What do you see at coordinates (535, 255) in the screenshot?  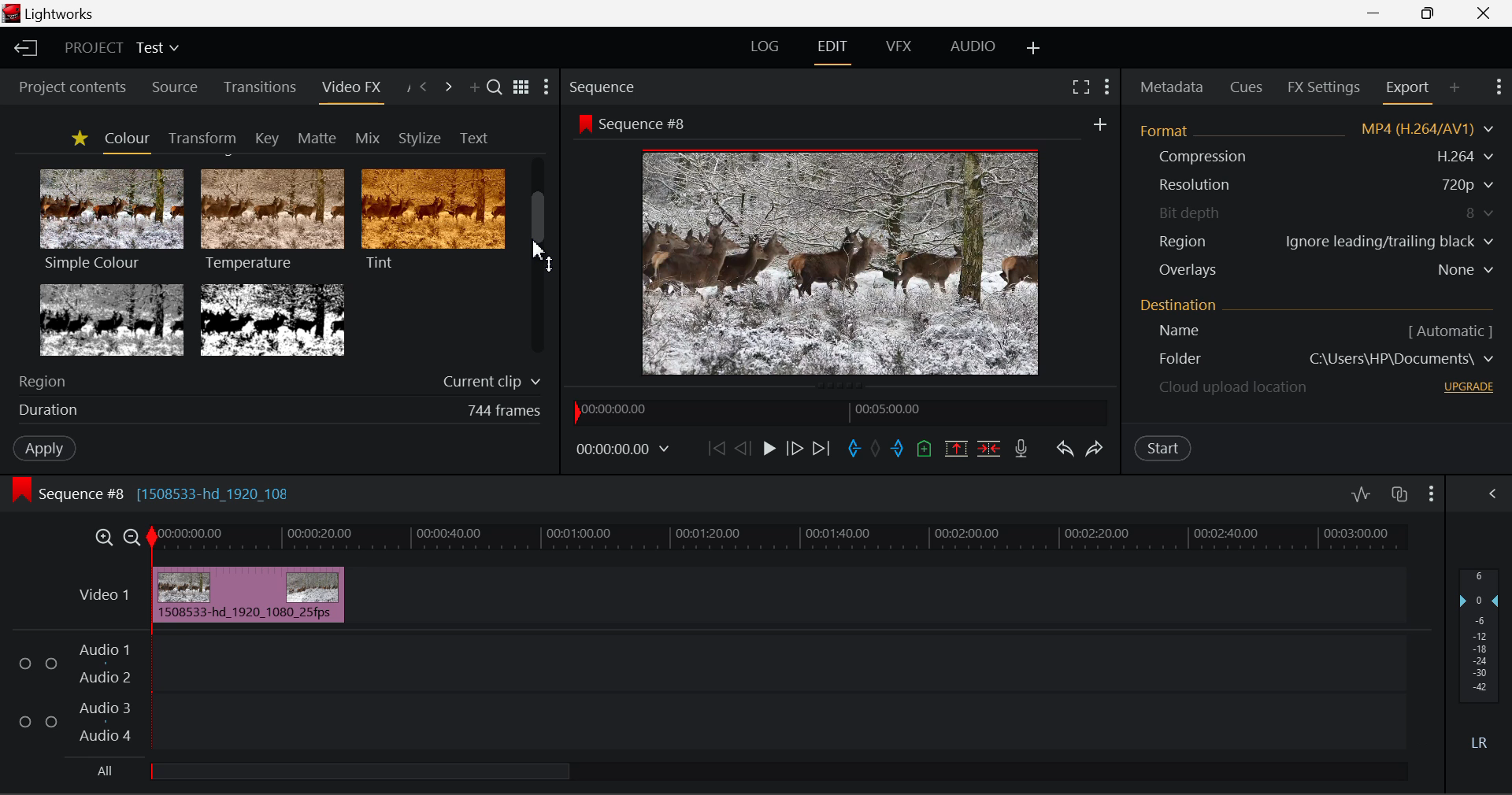 I see `DRAG_TO Cursor Position` at bounding box center [535, 255].